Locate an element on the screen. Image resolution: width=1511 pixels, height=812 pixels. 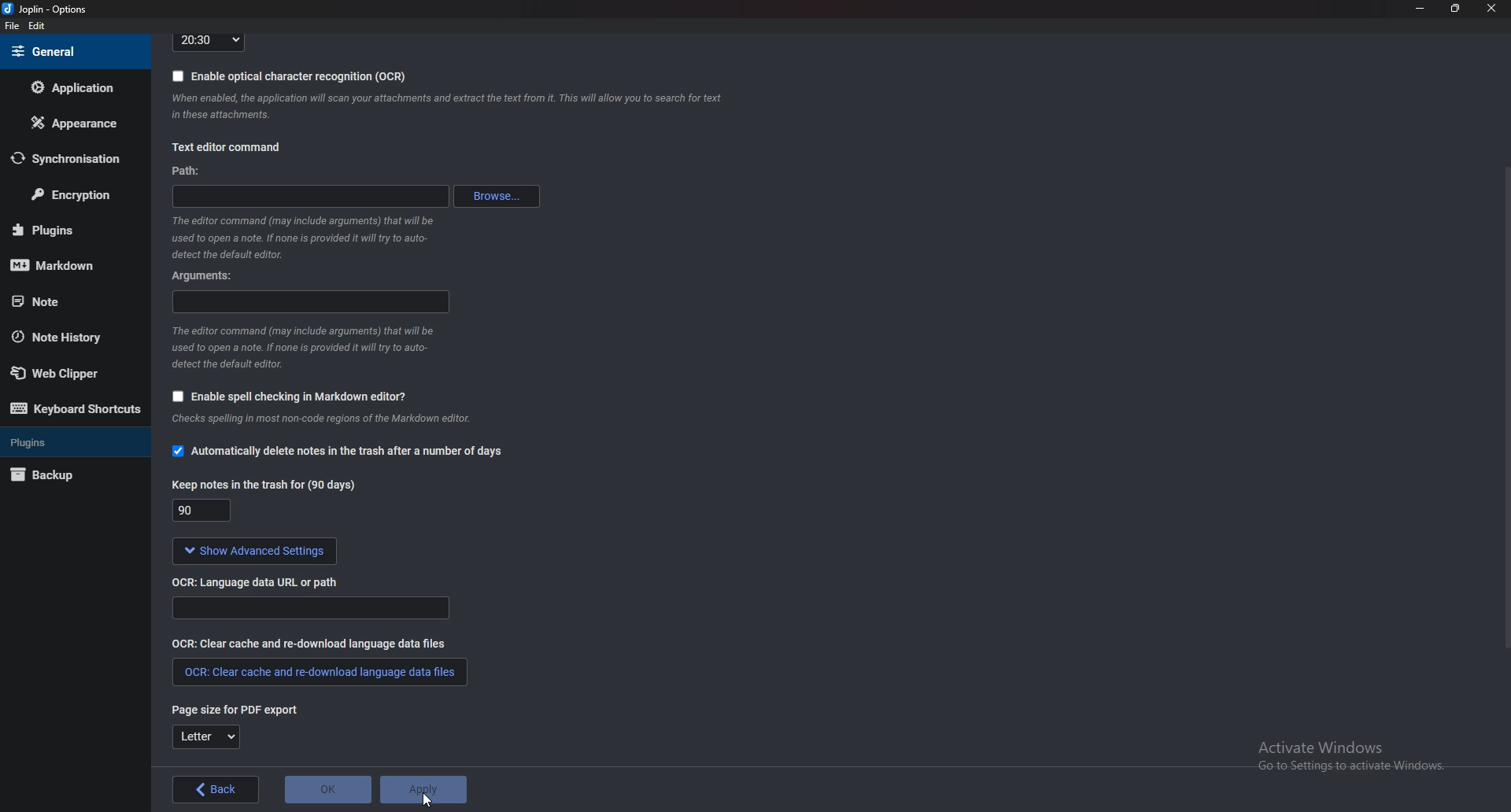
Synchronization is located at coordinates (66, 159).